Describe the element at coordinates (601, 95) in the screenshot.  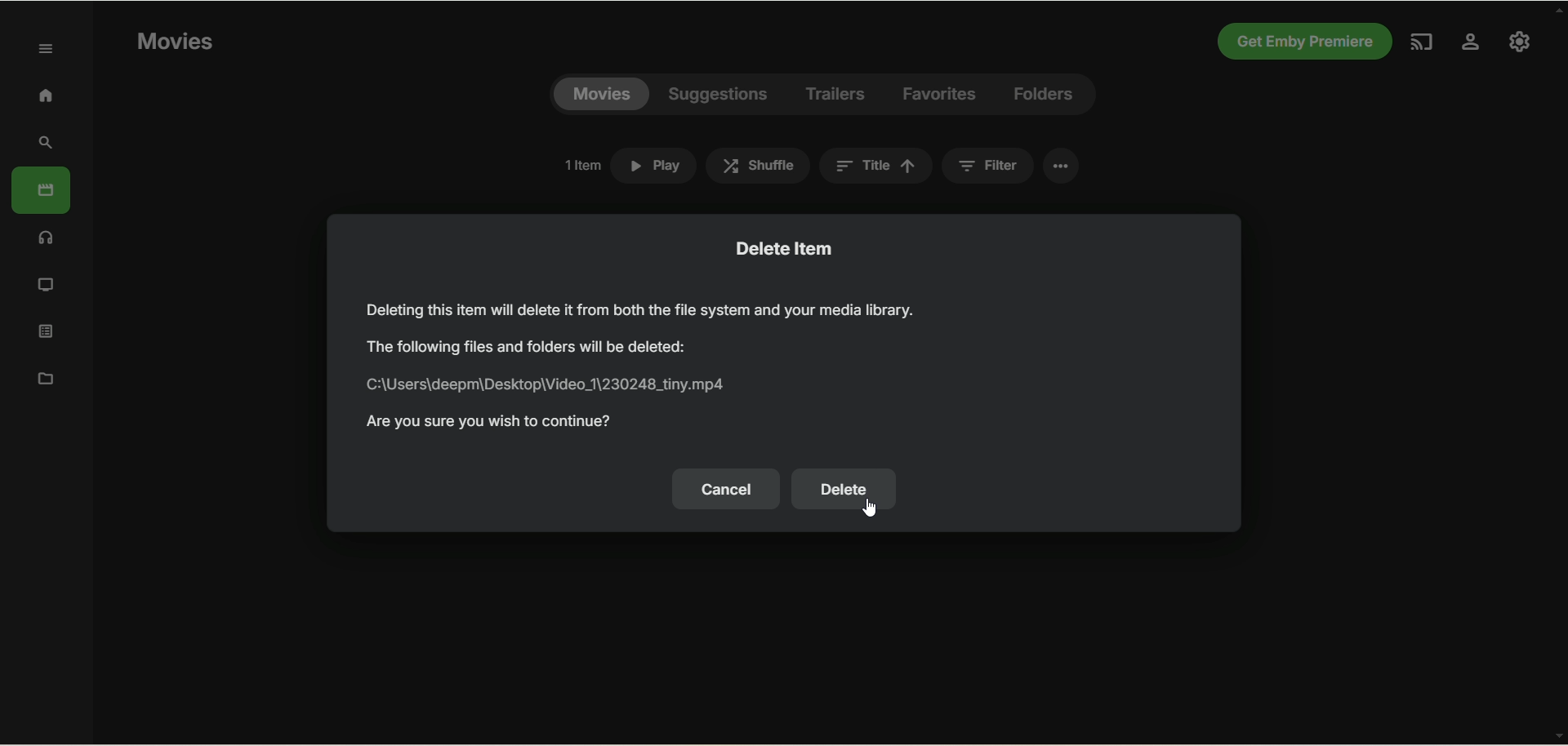
I see `movies` at that location.